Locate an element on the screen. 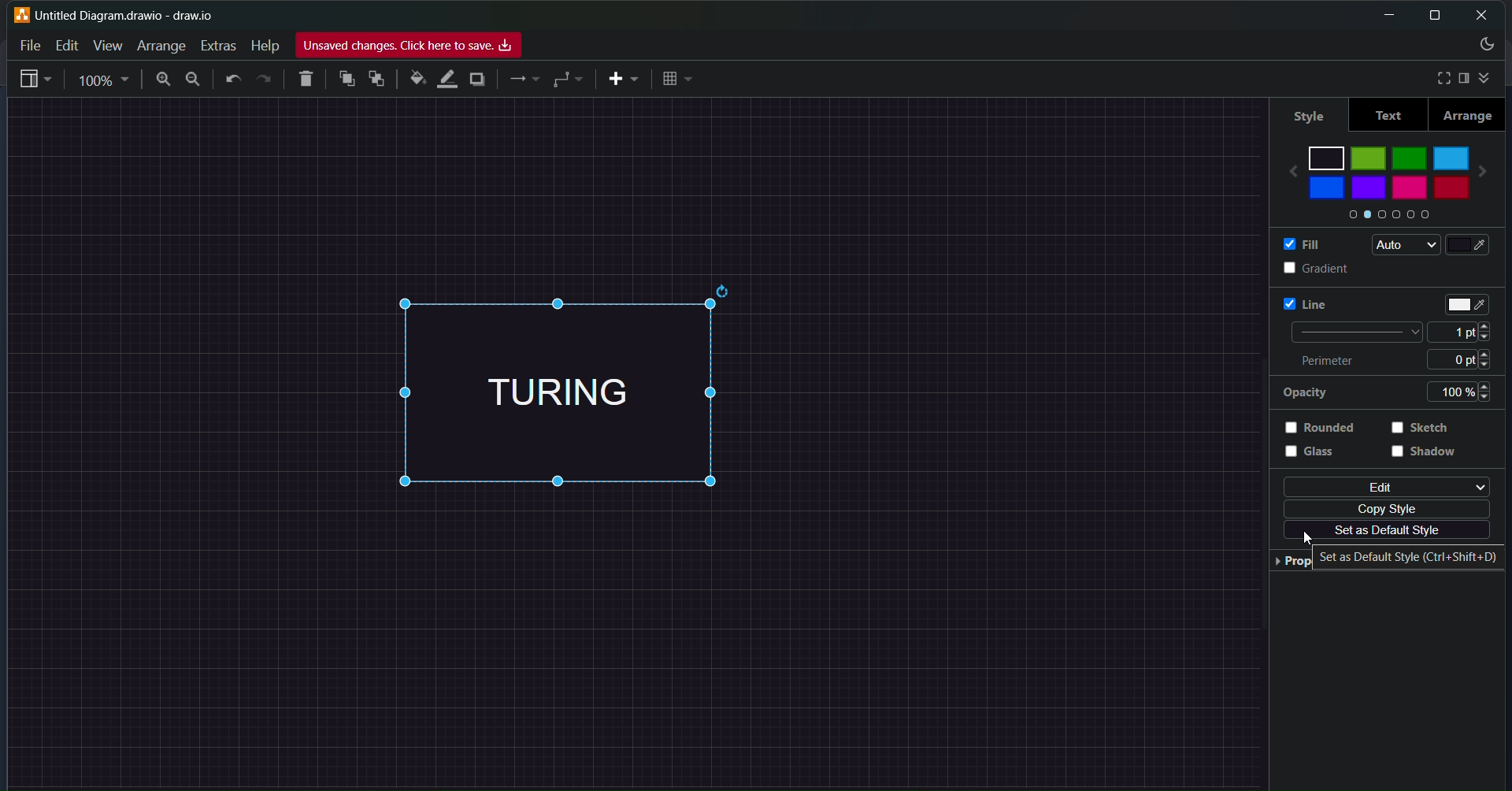  edit is located at coordinates (1382, 486).